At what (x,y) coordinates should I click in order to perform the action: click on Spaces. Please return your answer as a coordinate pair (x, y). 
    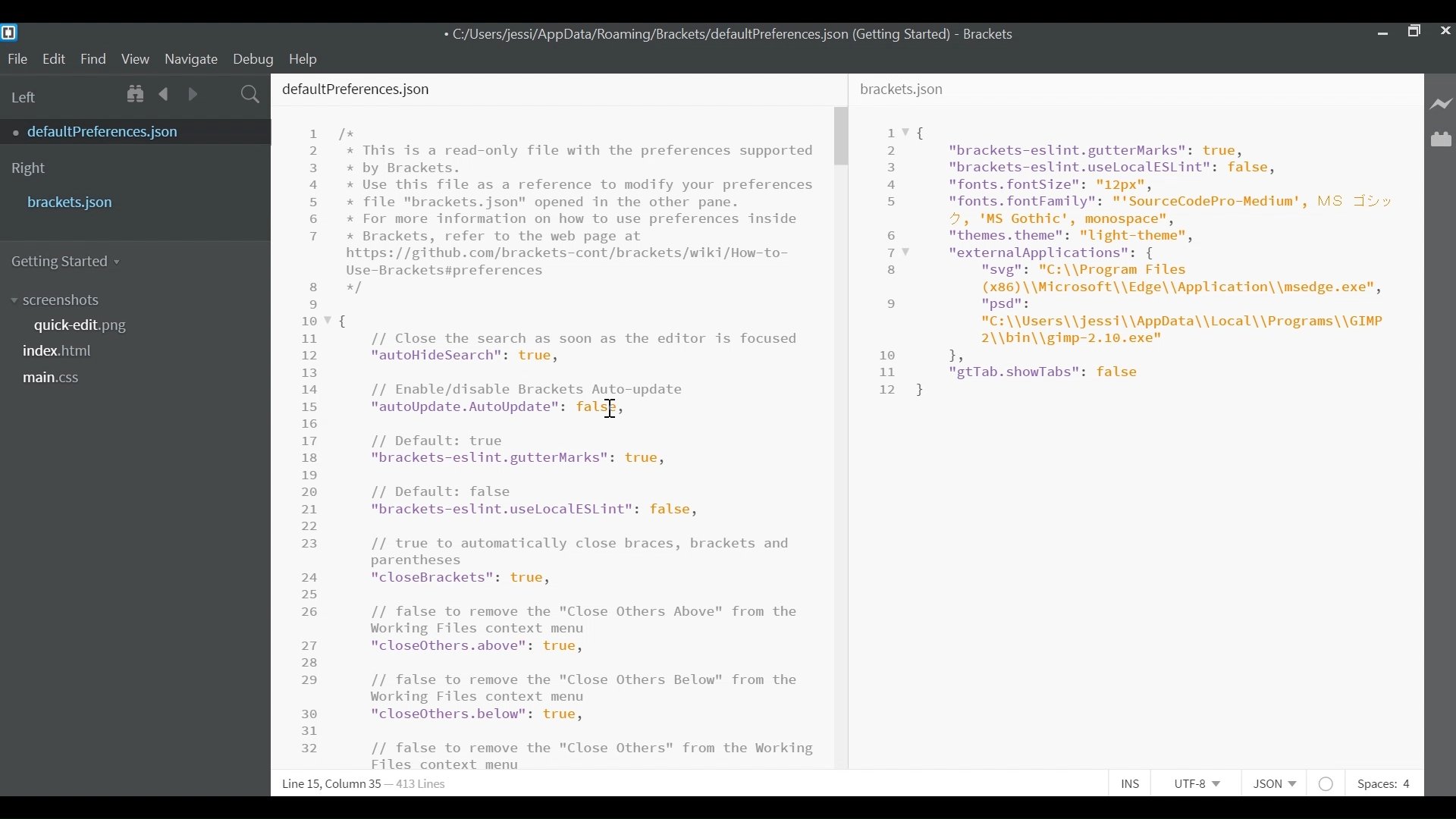
    Looking at the image, I should click on (1387, 783).